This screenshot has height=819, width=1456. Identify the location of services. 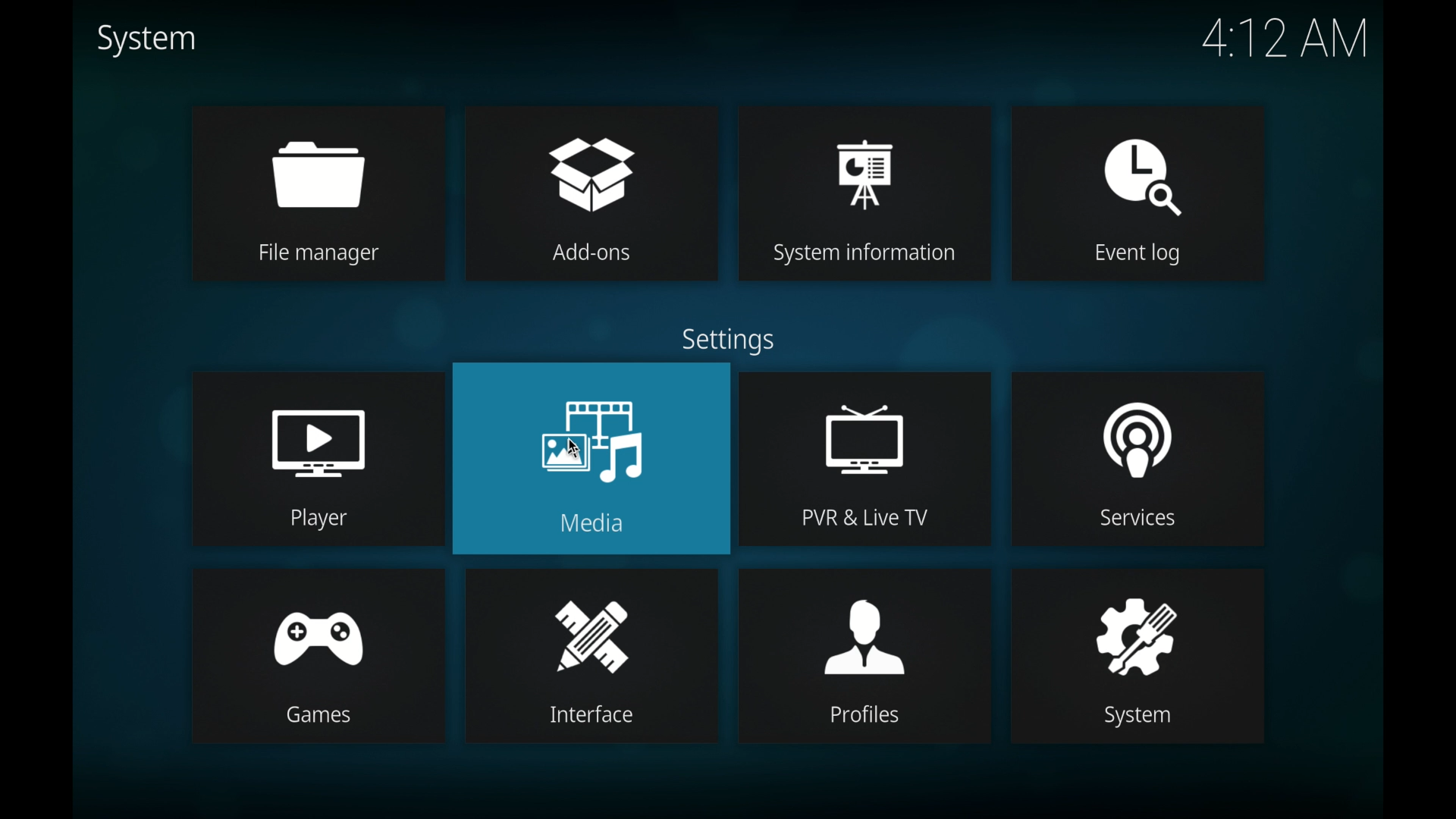
(1138, 428).